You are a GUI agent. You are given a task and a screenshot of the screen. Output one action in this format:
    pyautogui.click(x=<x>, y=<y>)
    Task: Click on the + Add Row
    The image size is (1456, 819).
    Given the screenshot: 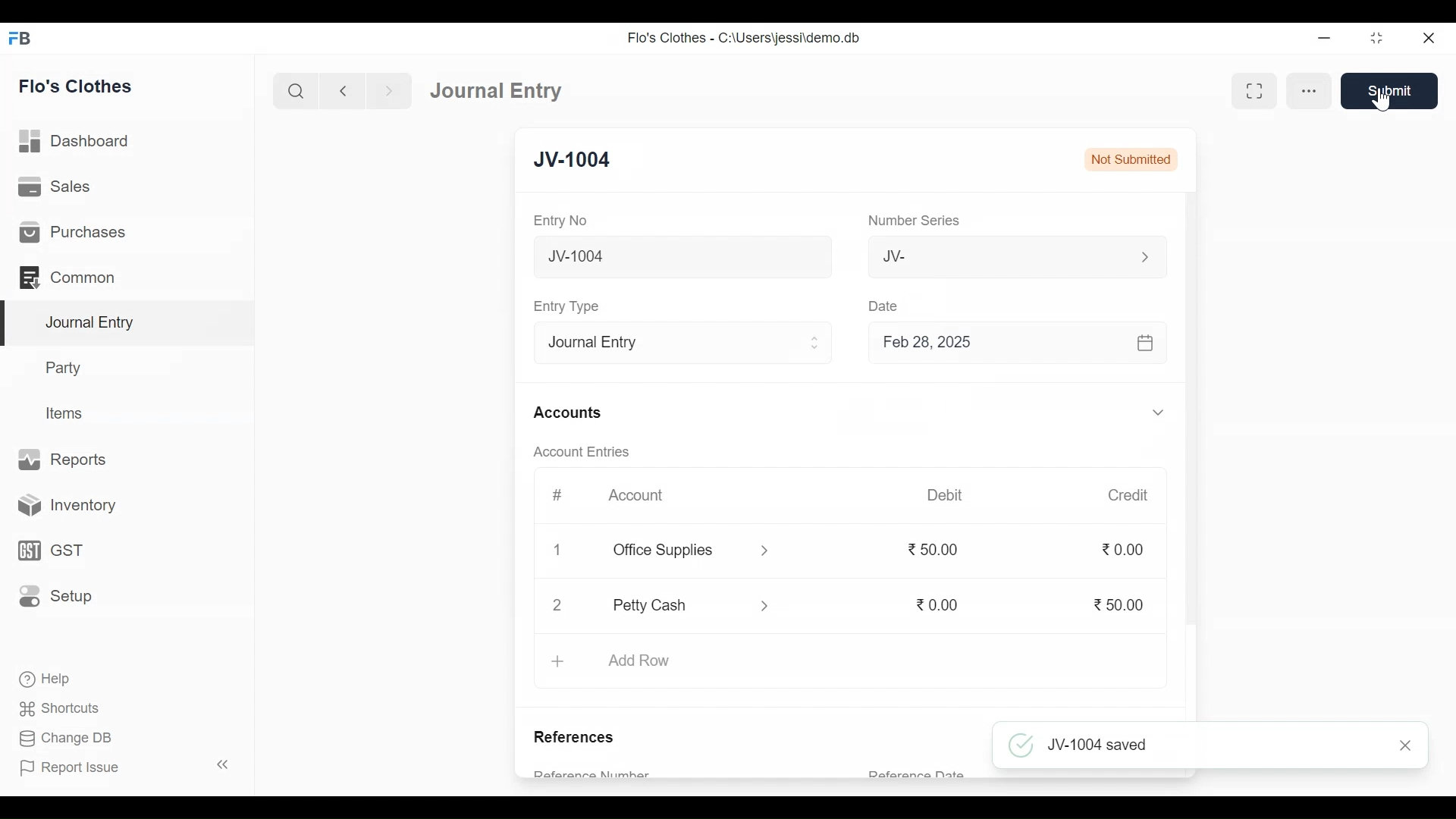 What is the action you would take?
    pyautogui.click(x=617, y=662)
    